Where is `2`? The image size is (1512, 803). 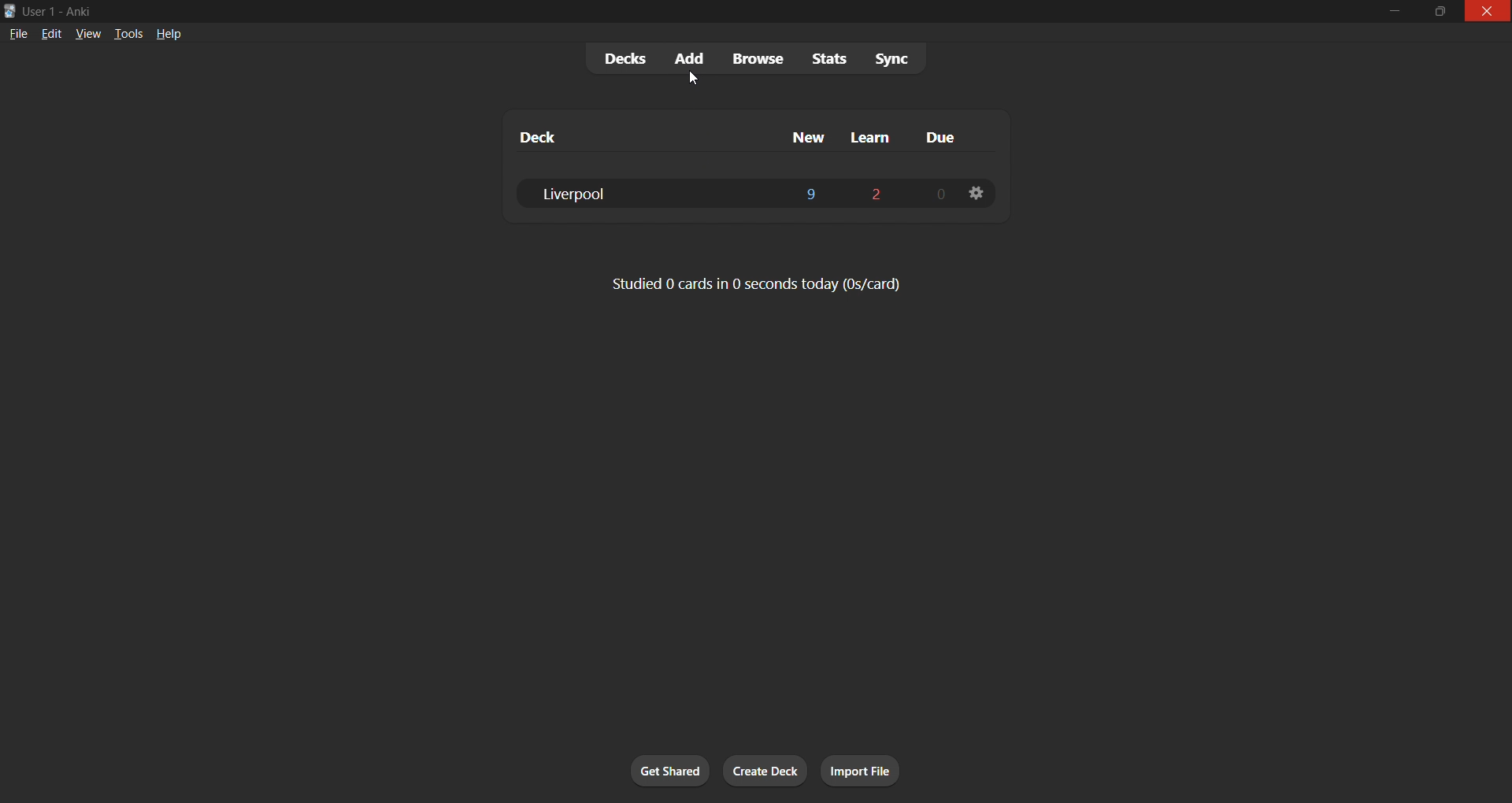
2 is located at coordinates (873, 191).